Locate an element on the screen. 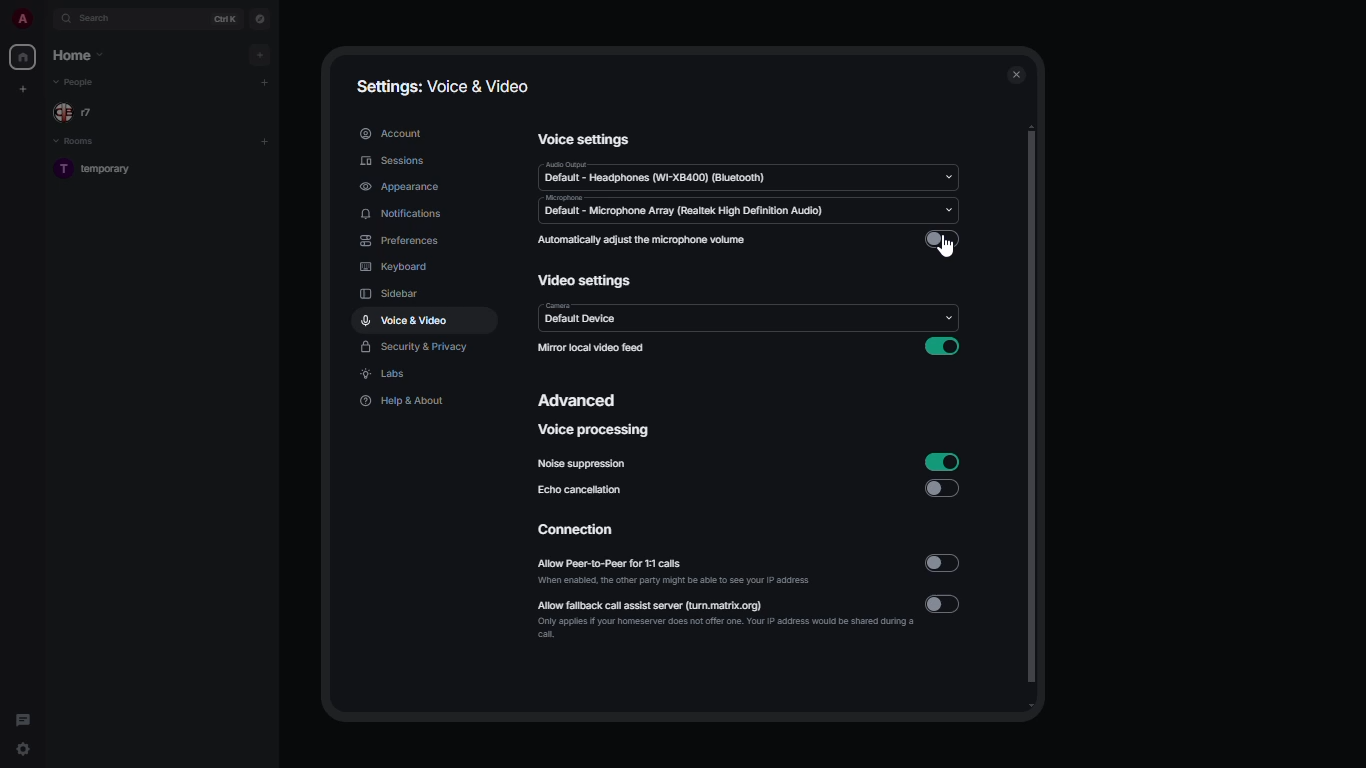  account is located at coordinates (393, 132).